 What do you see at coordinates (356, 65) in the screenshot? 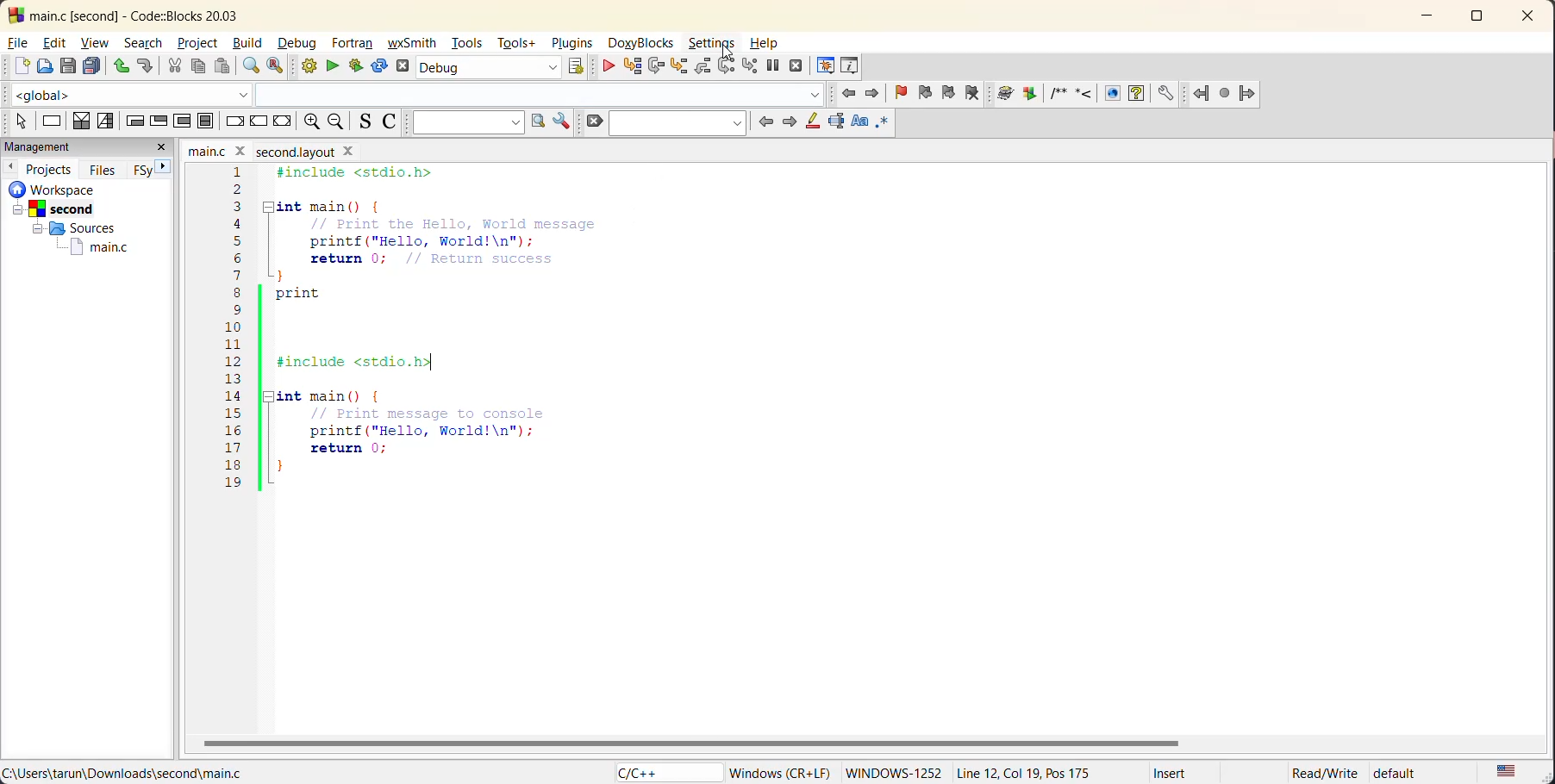
I see `build and run` at bounding box center [356, 65].